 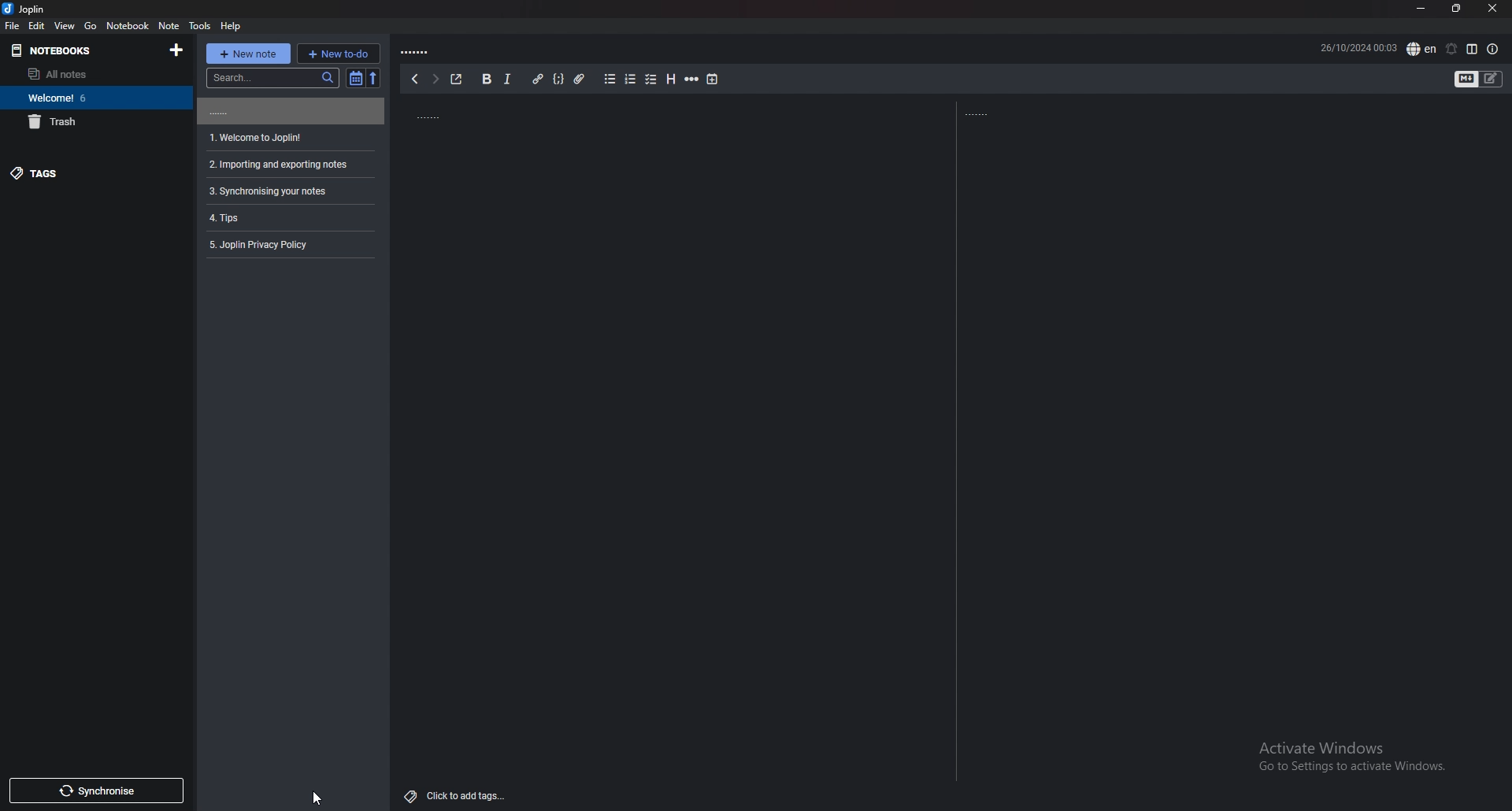 What do you see at coordinates (712, 80) in the screenshot?
I see `insert time` at bounding box center [712, 80].